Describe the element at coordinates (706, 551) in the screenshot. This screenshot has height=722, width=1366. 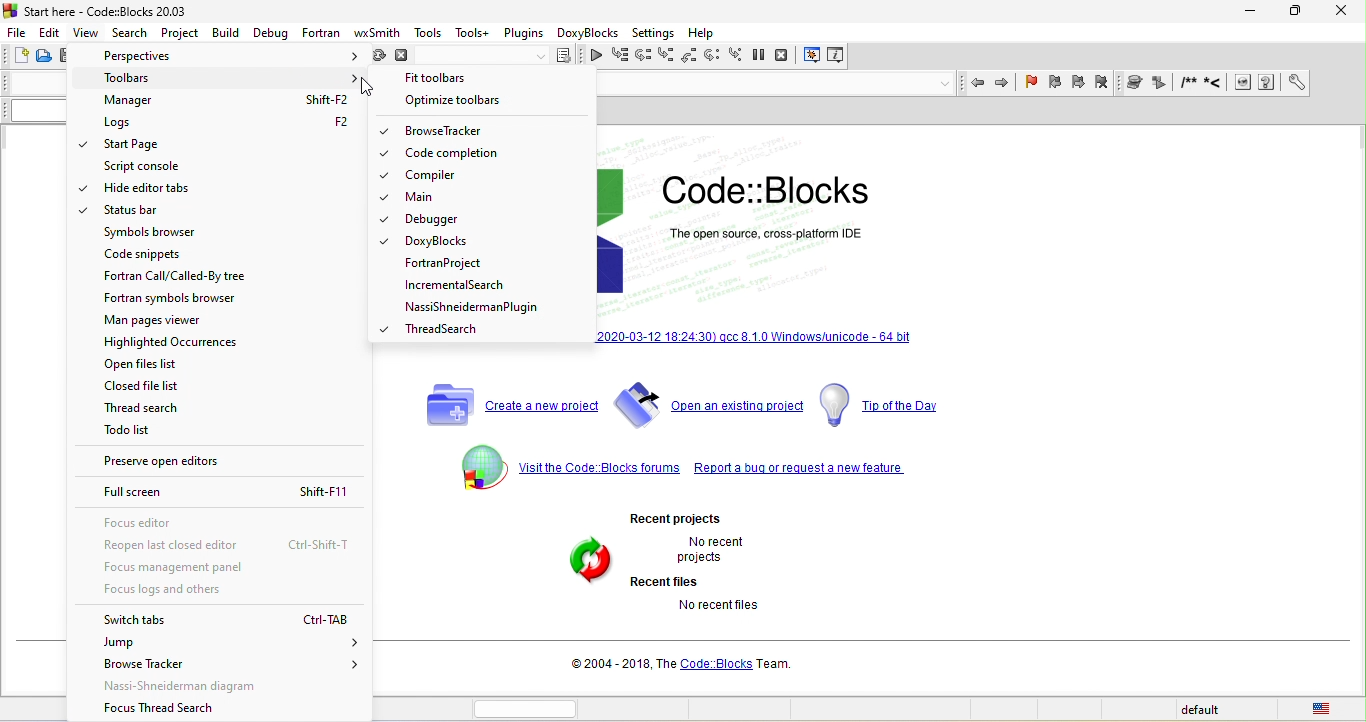
I see `no recent projects` at that location.